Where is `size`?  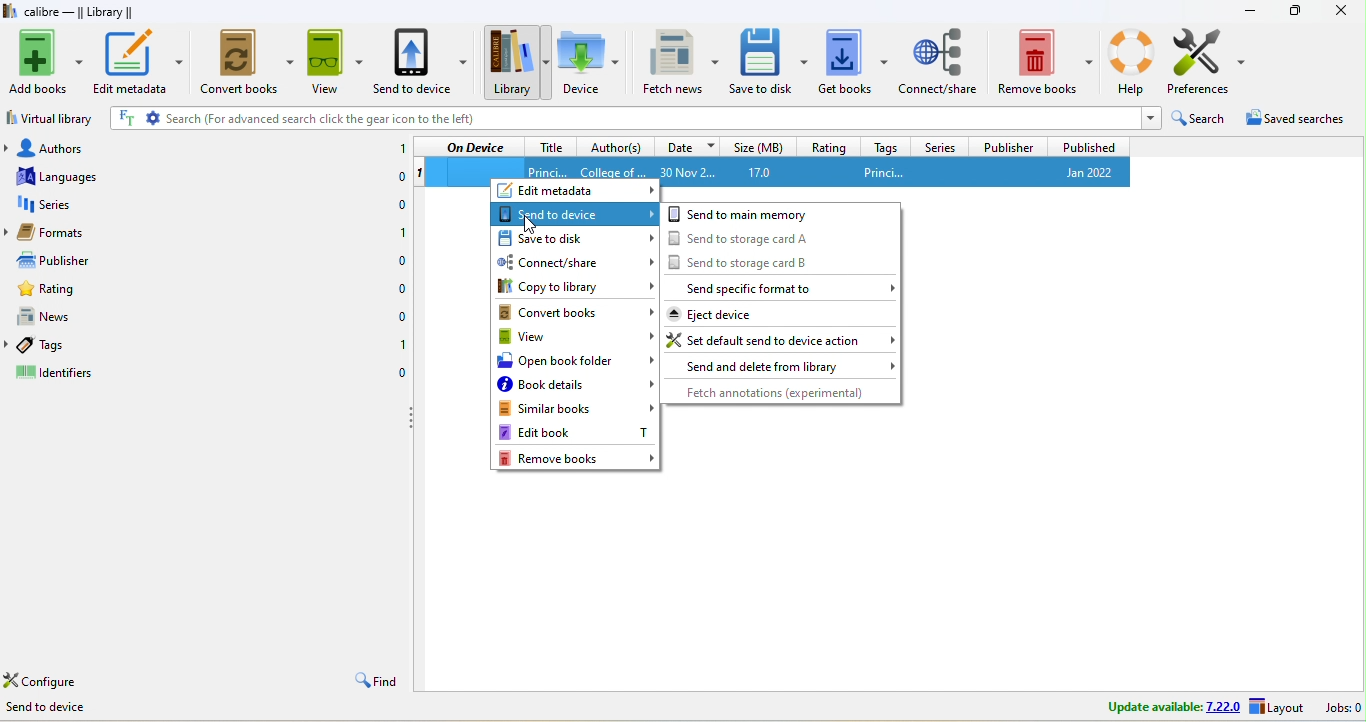 size is located at coordinates (758, 145).